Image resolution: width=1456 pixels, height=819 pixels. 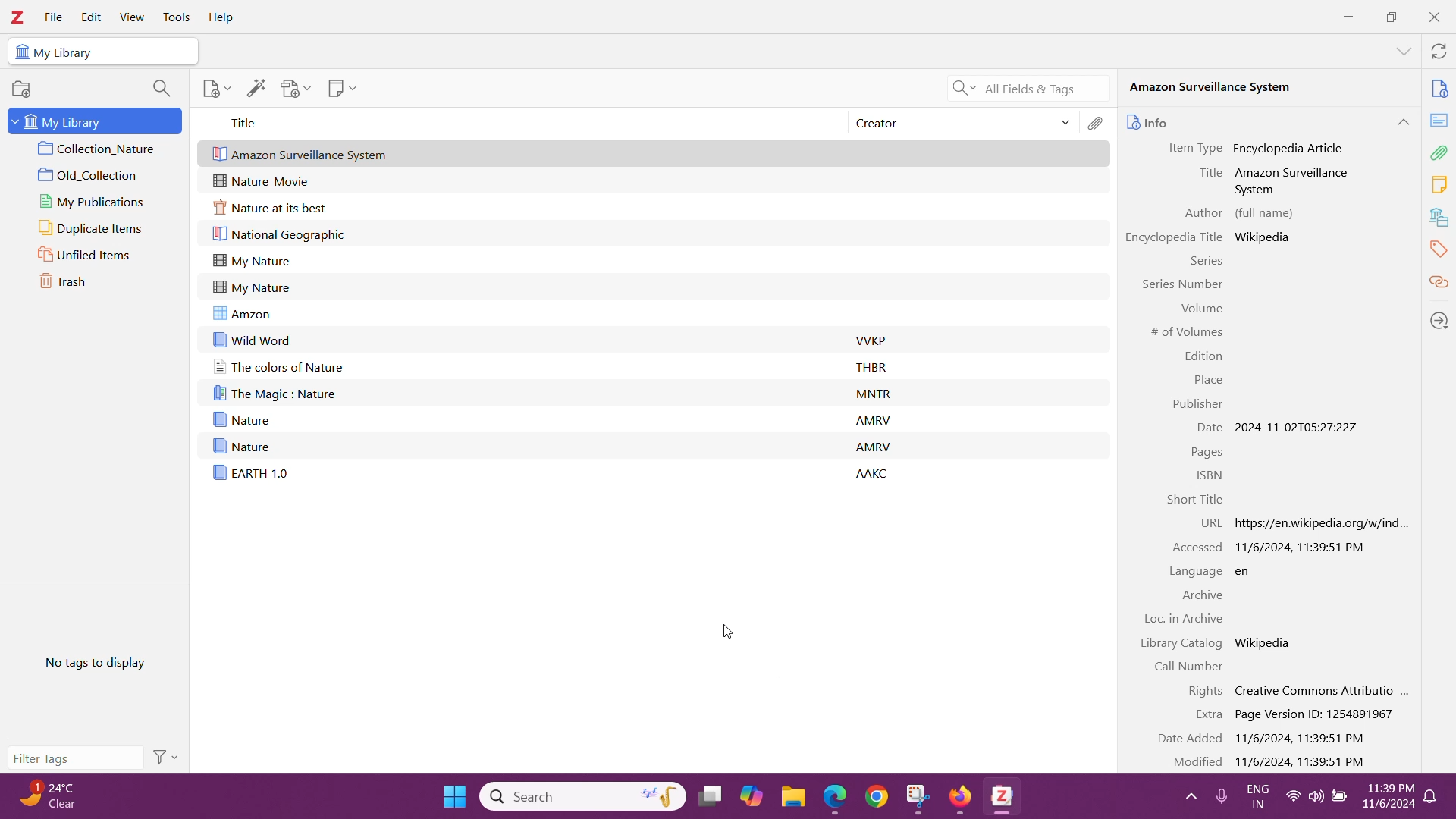 What do you see at coordinates (1194, 548) in the screenshot?
I see `Accessed` at bounding box center [1194, 548].